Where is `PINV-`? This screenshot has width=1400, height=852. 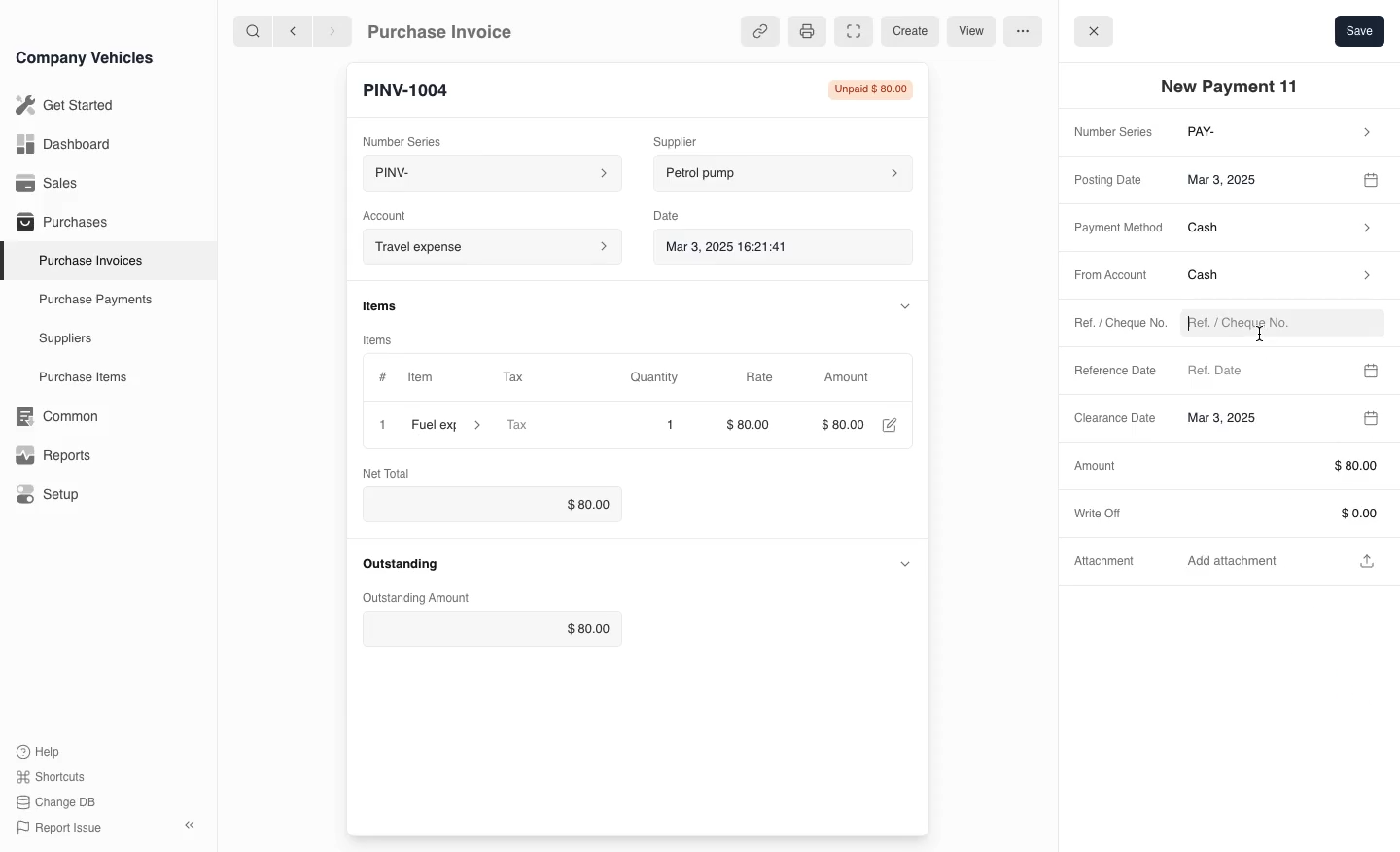
PINV- is located at coordinates (482, 175).